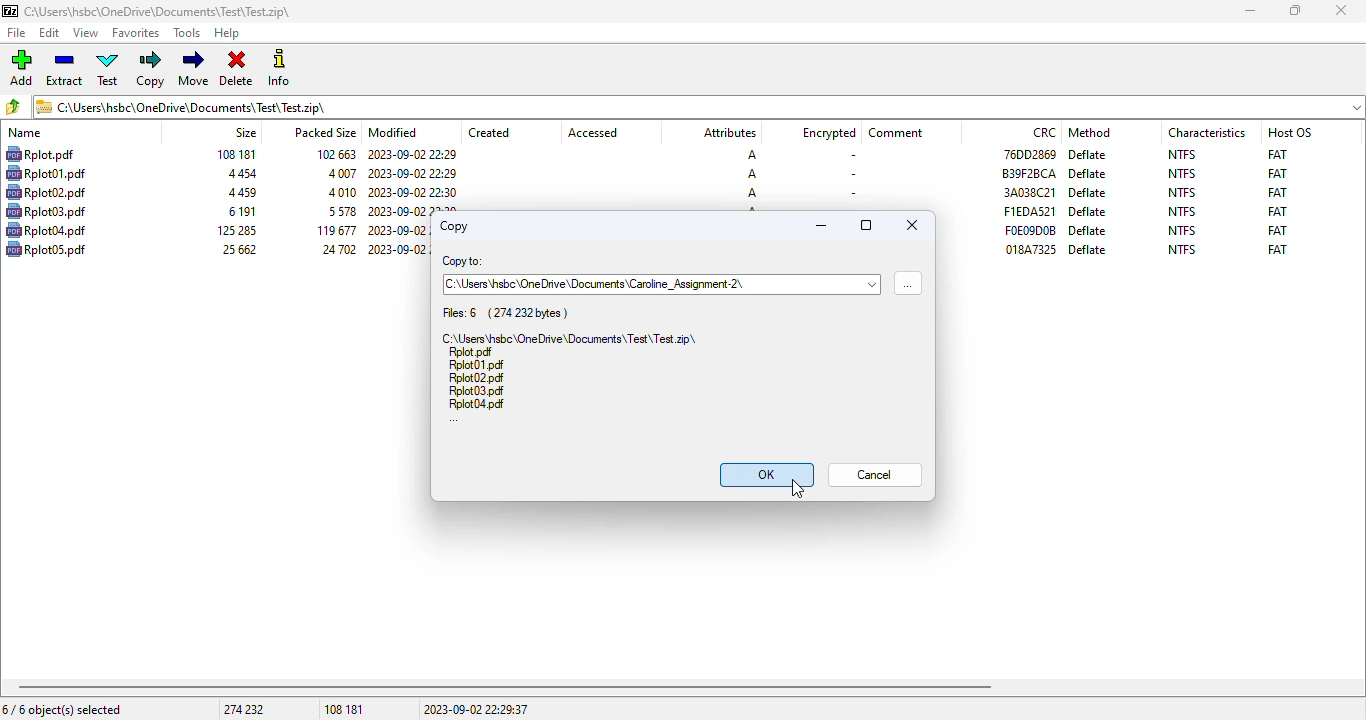 The image size is (1366, 720). What do you see at coordinates (50, 33) in the screenshot?
I see `edit` at bounding box center [50, 33].